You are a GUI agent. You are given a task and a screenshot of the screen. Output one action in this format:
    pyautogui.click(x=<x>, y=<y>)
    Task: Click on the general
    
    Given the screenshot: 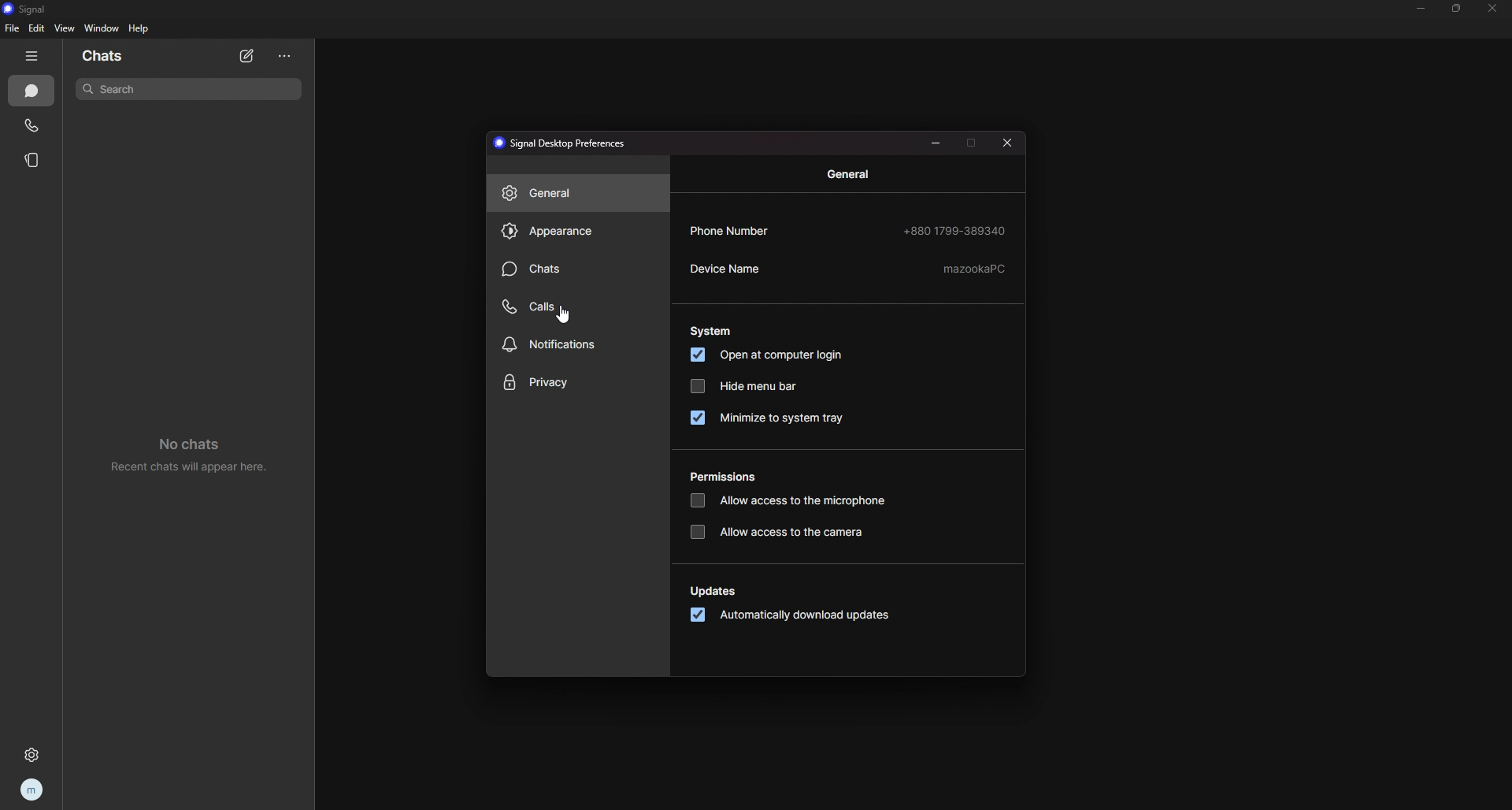 What is the action you would take?
    pyautogui.click(x=849, y=173)
    